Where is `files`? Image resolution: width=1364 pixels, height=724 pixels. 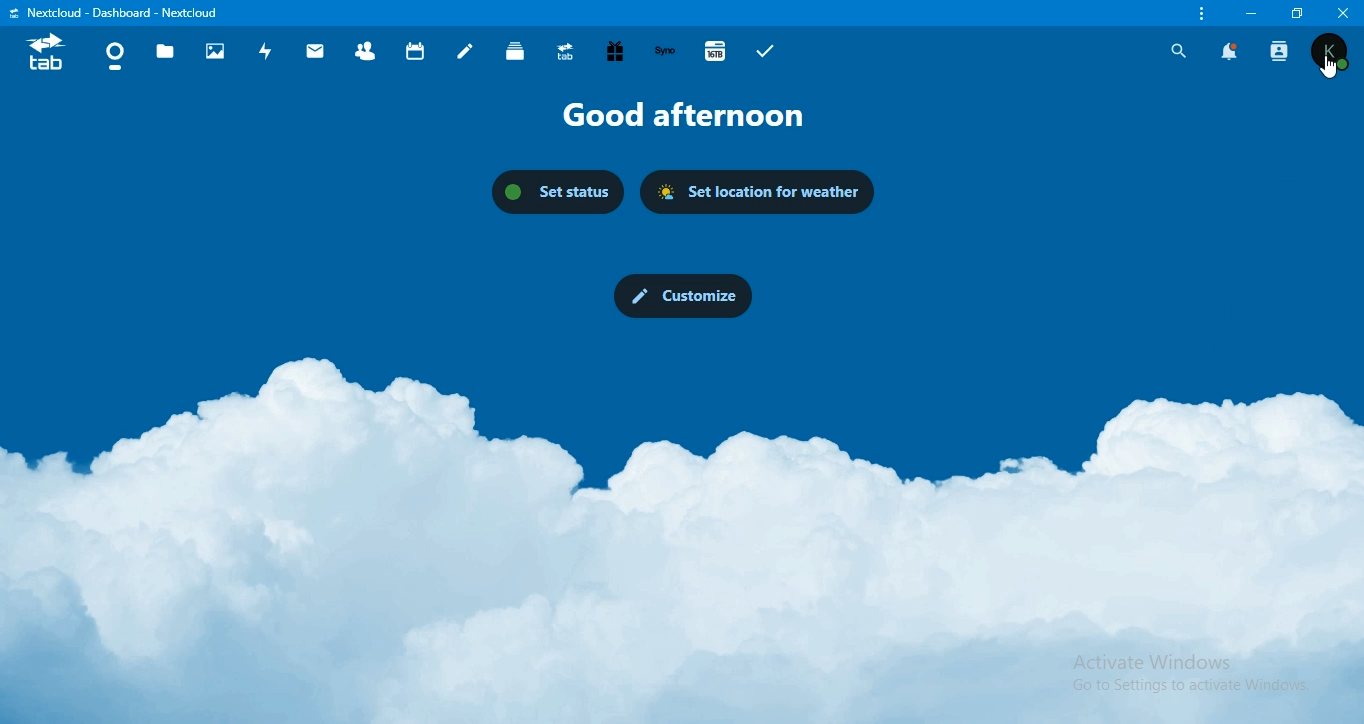
files is located at coordinates (165, 54).